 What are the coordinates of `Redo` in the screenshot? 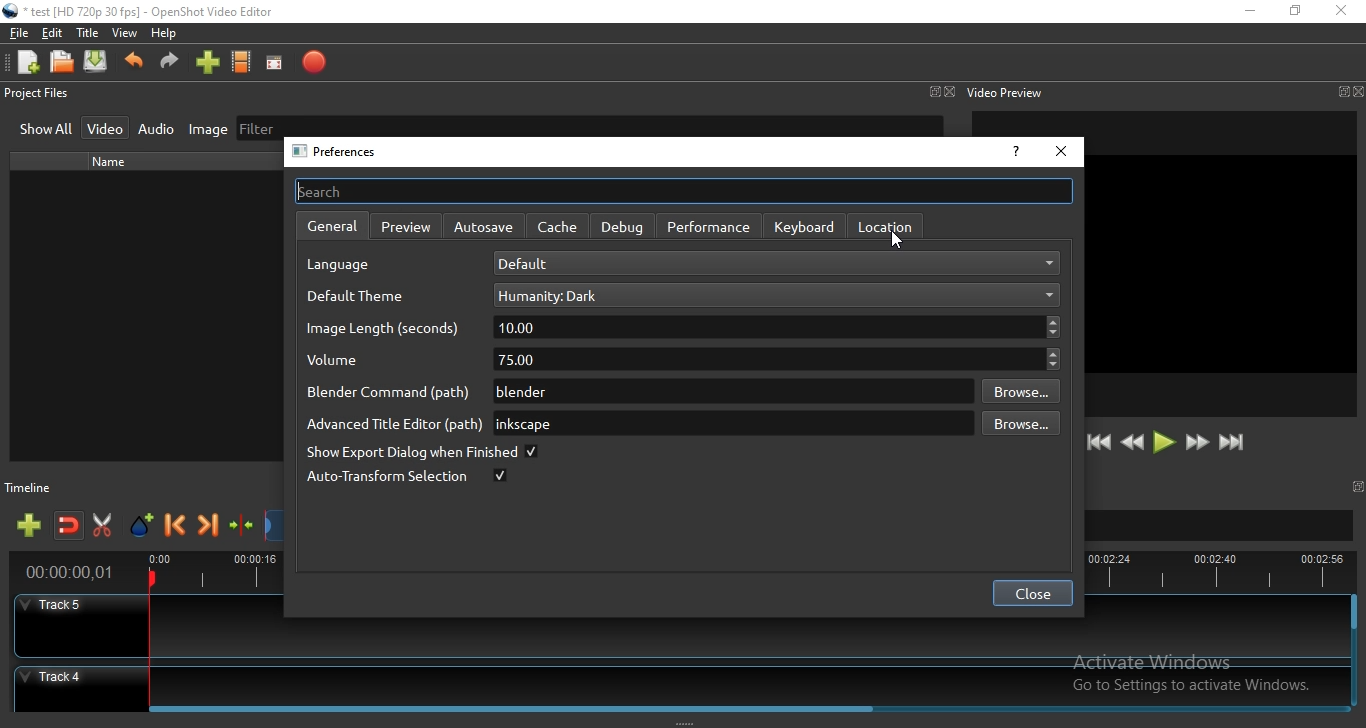 It's located at (170, 66).